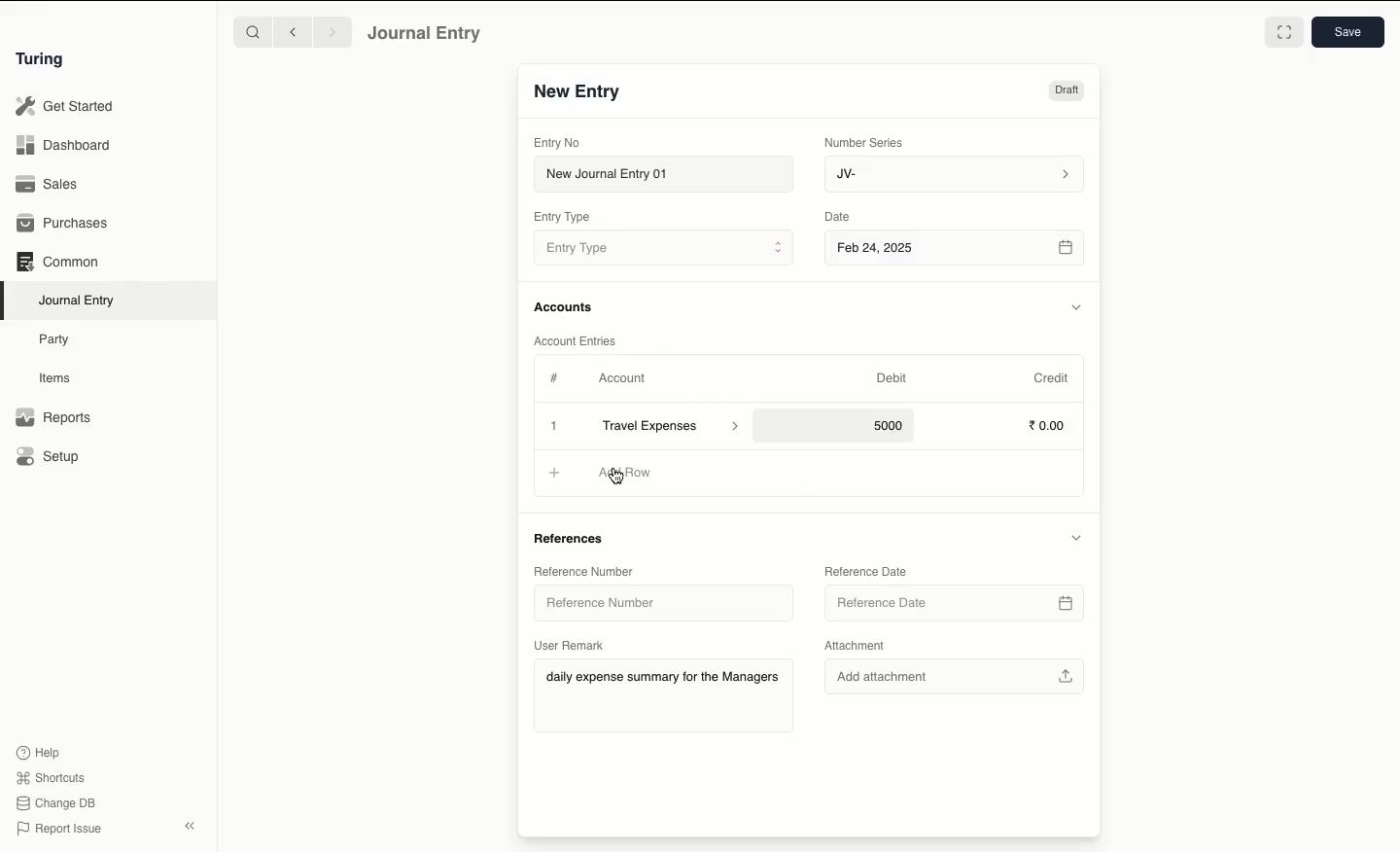 The image size is (1400, 852). I want to click on Reference Date, so click(864, 570).